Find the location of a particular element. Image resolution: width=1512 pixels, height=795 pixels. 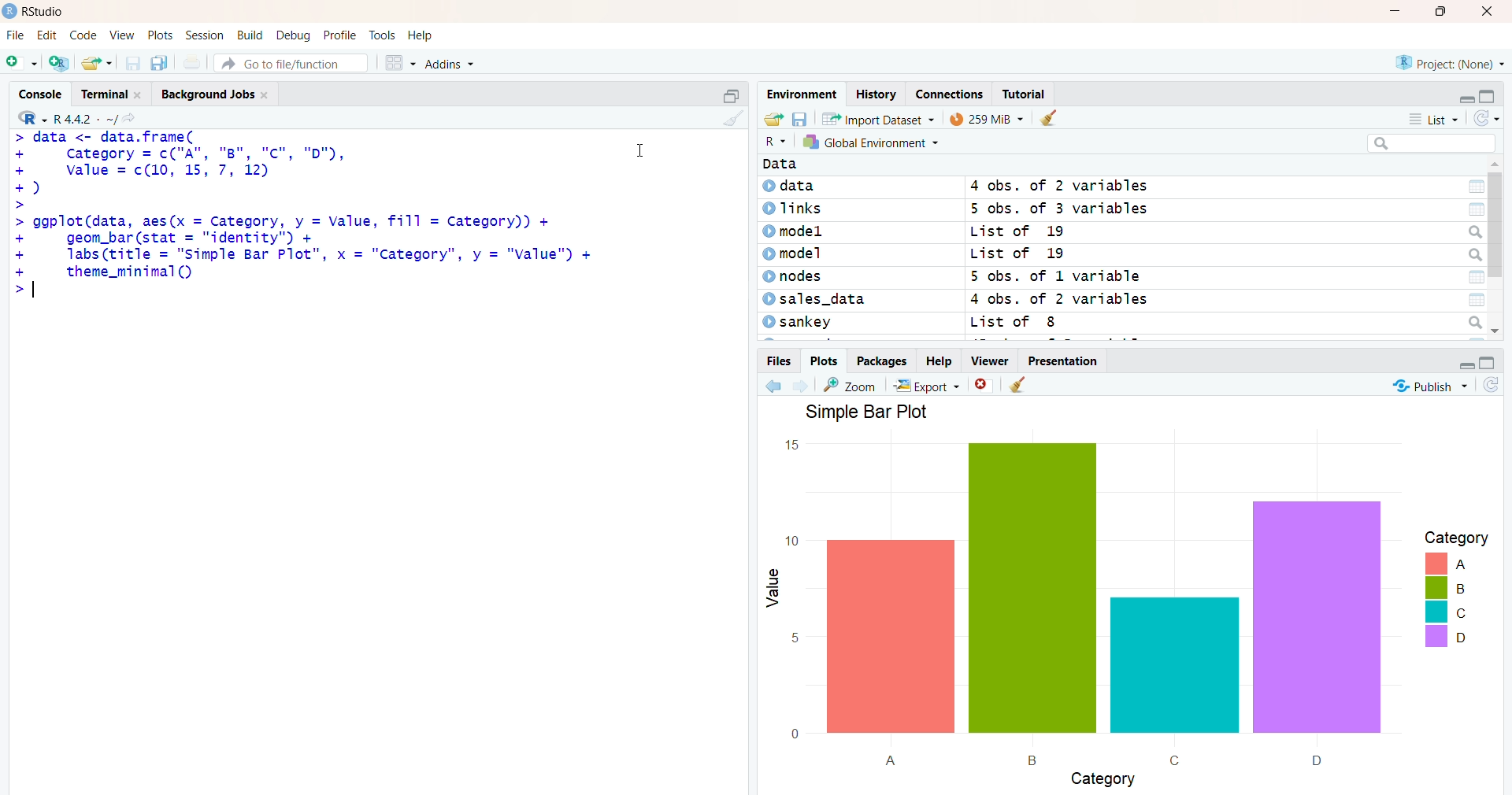

Export is located at coordinates (928, 385).